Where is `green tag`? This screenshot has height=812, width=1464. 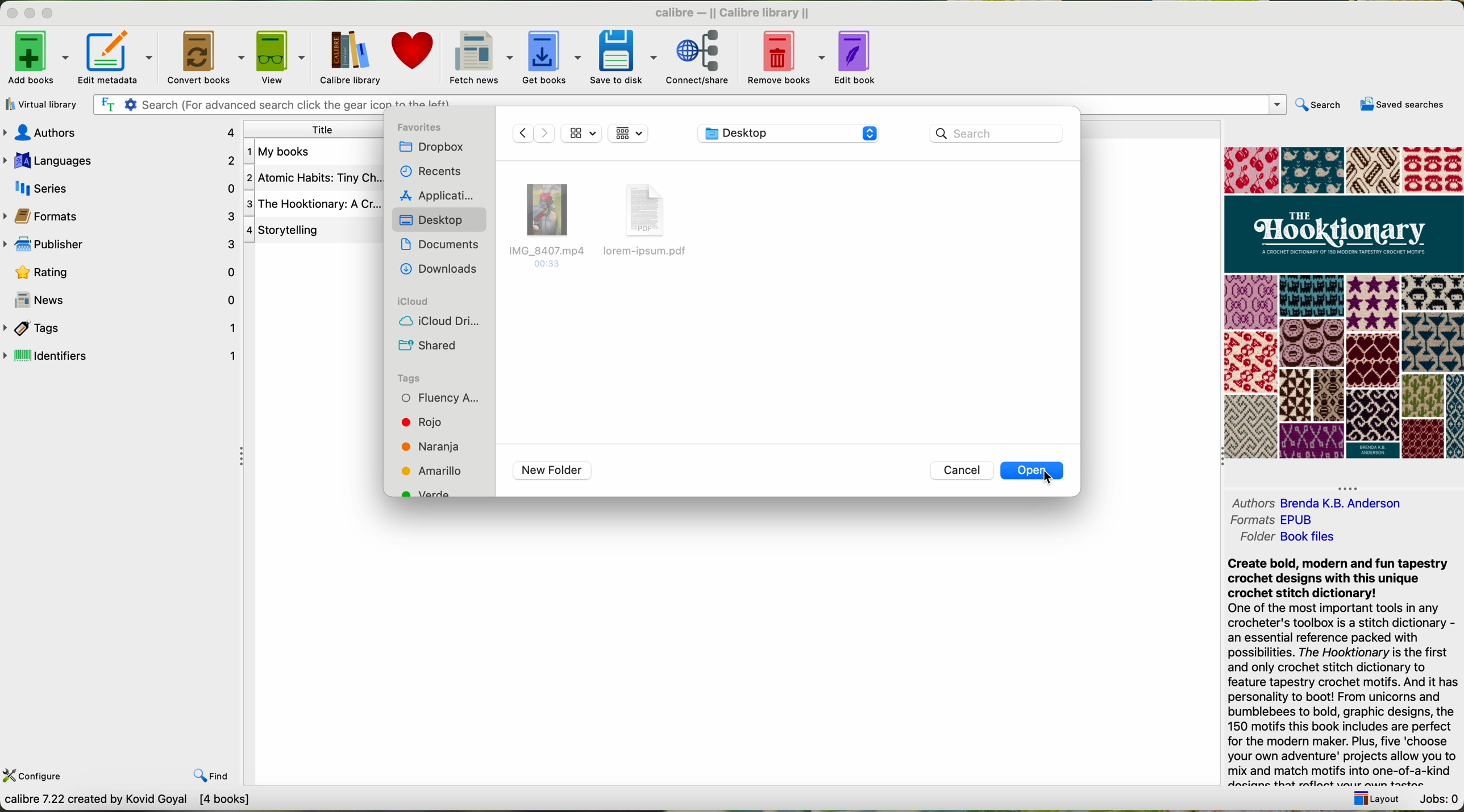 green tag is located at coordinates (427, 490).